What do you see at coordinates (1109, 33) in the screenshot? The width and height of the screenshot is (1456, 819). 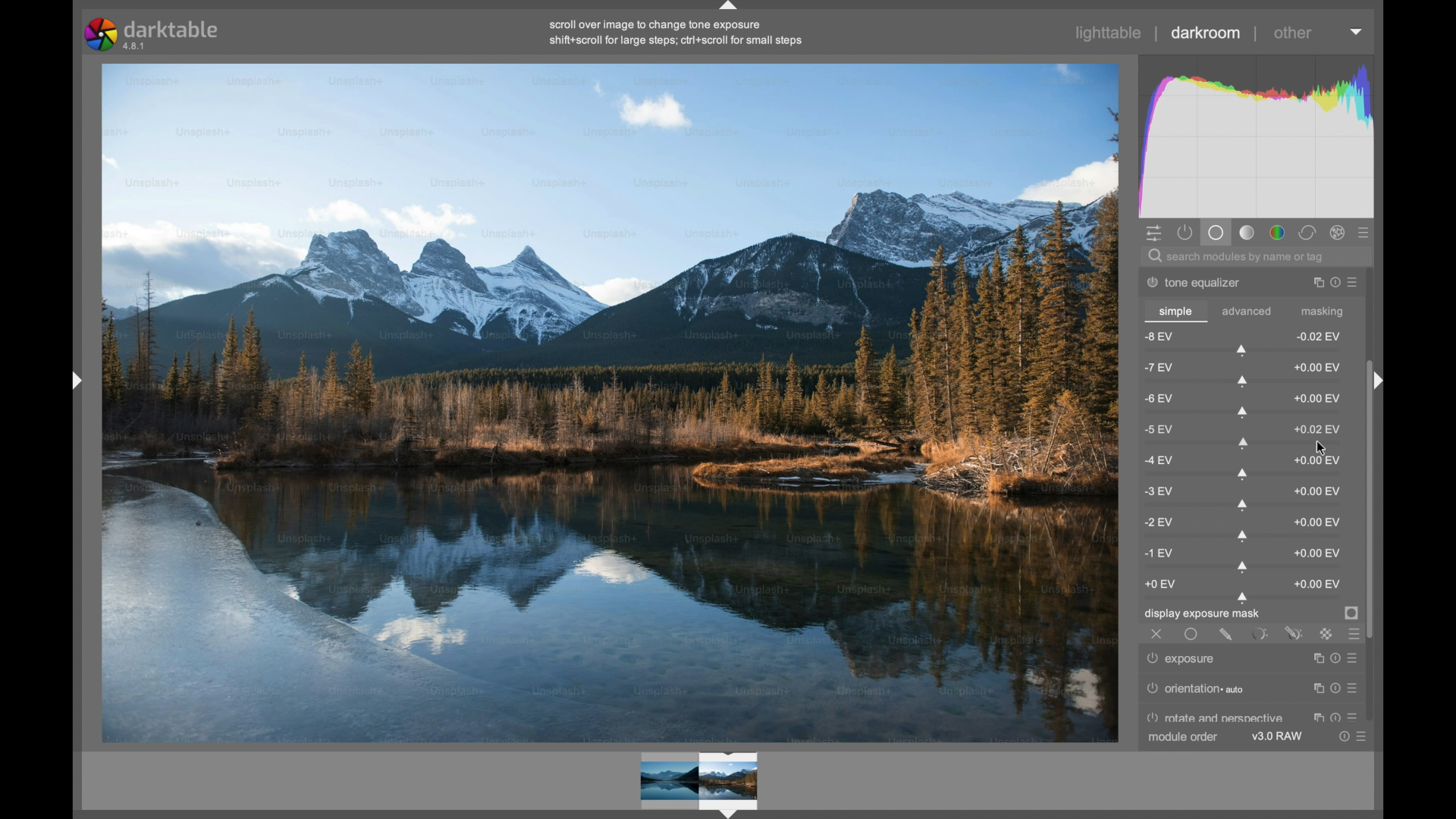 I see `lighttable` at bounding box center [1109, 33].